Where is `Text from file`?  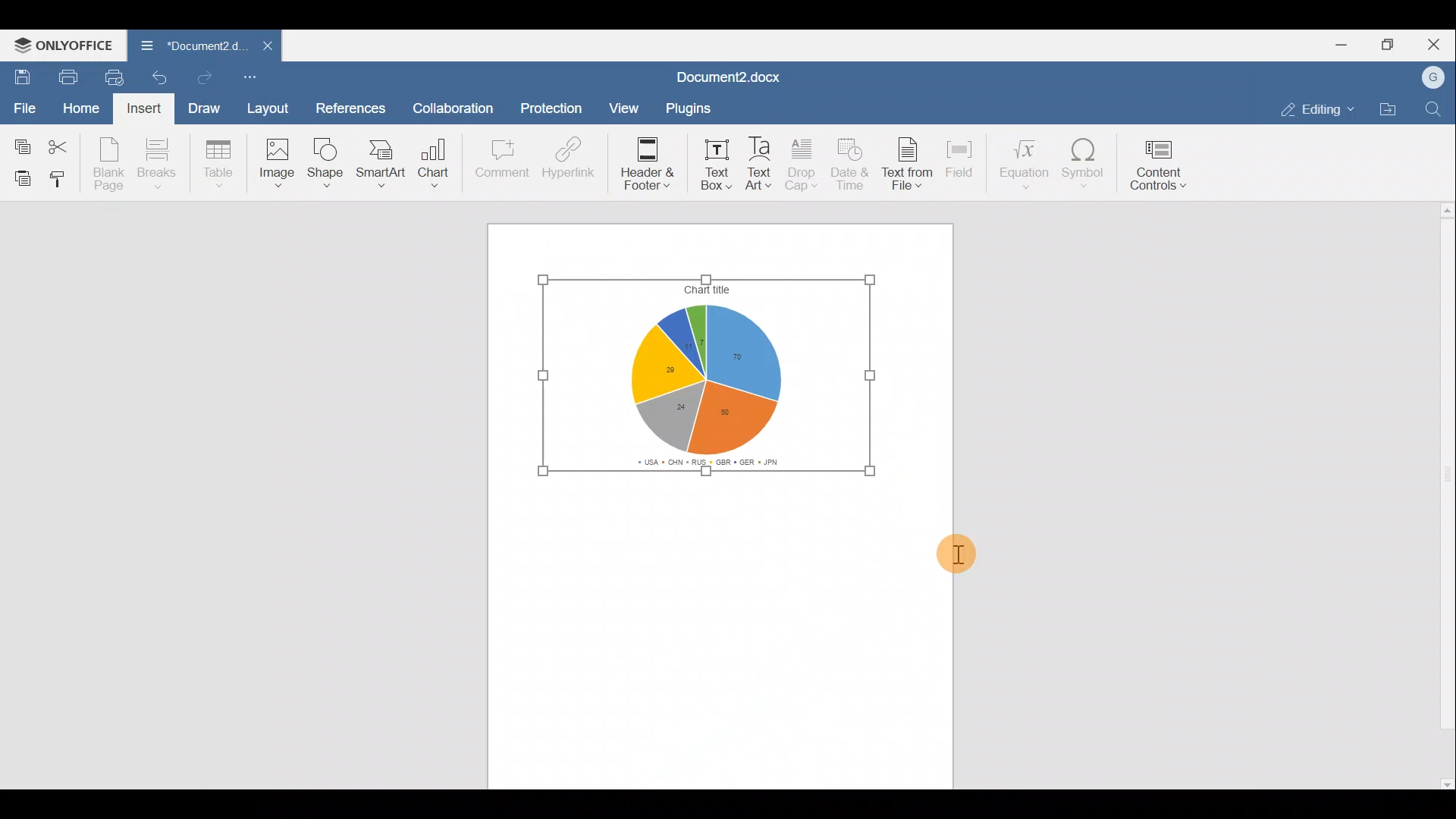
Text from file is located at coordinates (909, 161).